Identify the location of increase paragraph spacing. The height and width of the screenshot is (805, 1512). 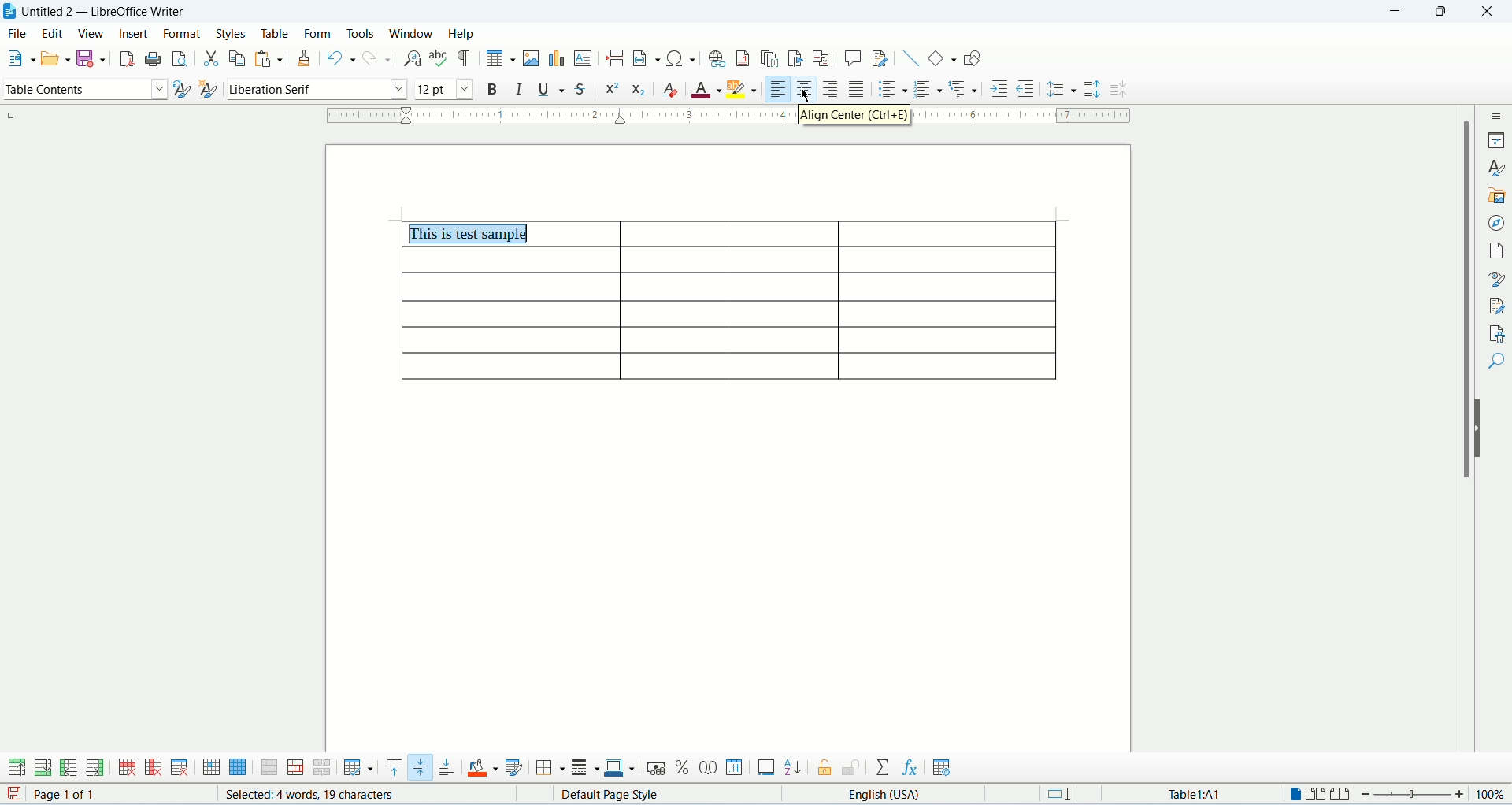
(1094, 90).